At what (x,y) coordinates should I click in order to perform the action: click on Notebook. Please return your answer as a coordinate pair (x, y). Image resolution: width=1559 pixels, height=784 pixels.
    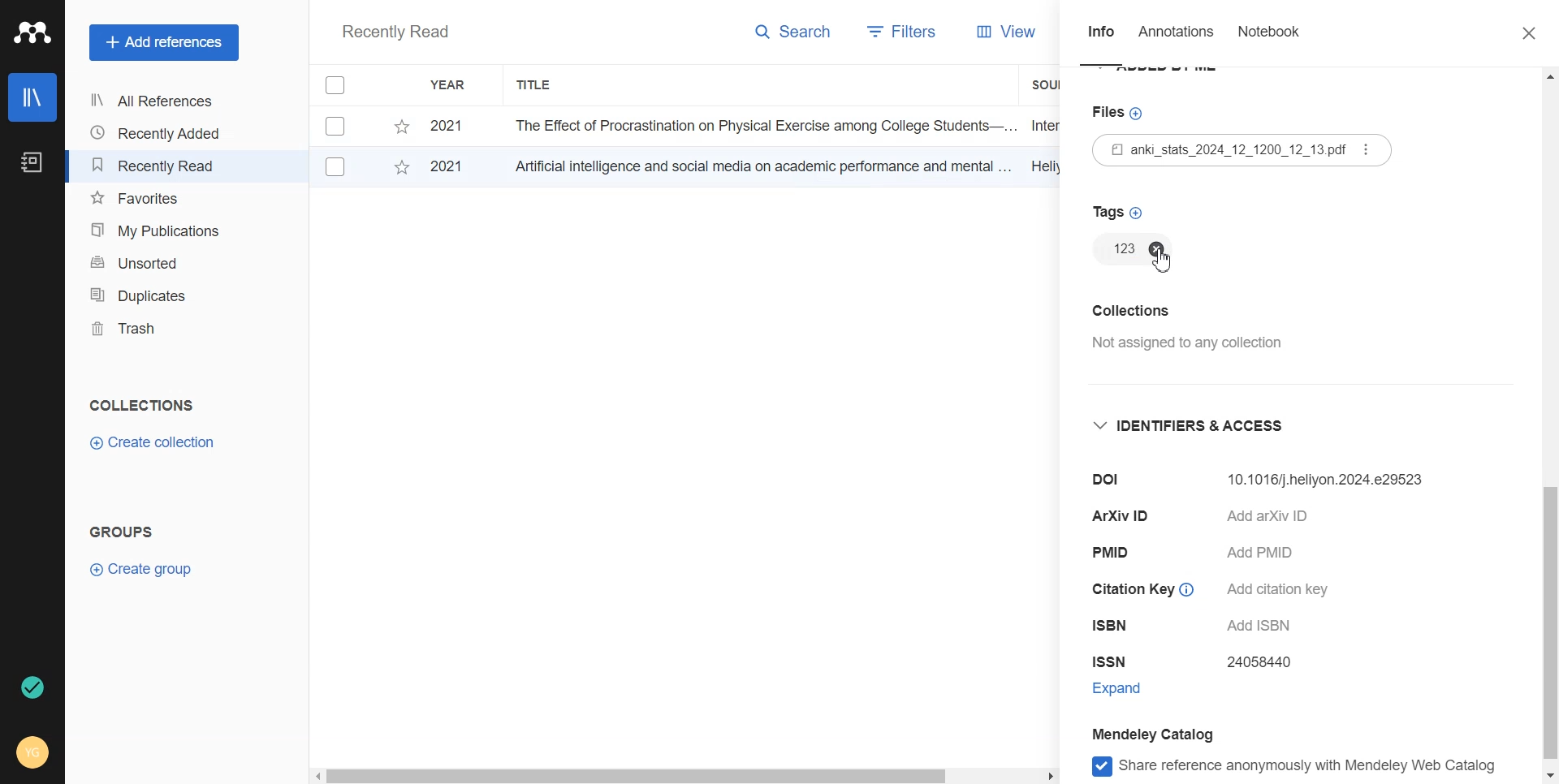
    Looking at the image, I should click on (1268, 35).